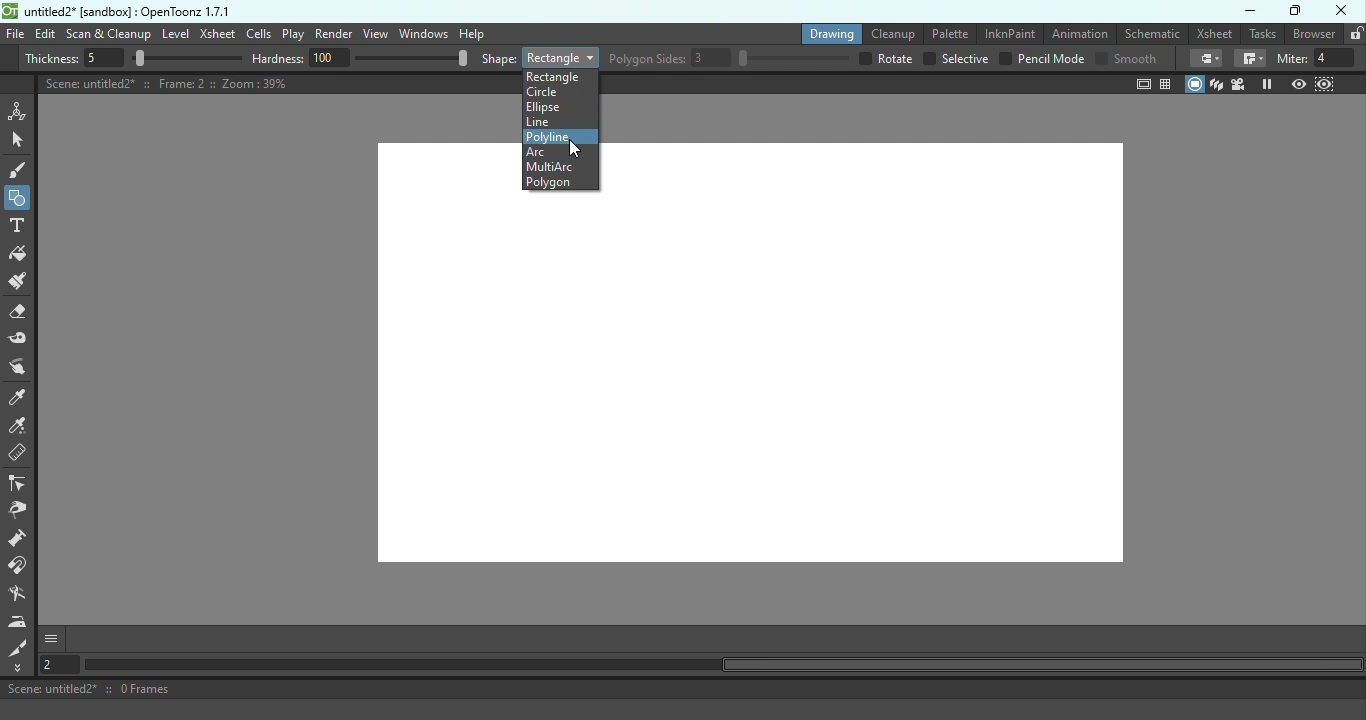 This screenshot has height=720, width=1366. What do you see at coordinates (46, 35) in the screenshot?
I see `Edit` at bounding box center [46, 35].